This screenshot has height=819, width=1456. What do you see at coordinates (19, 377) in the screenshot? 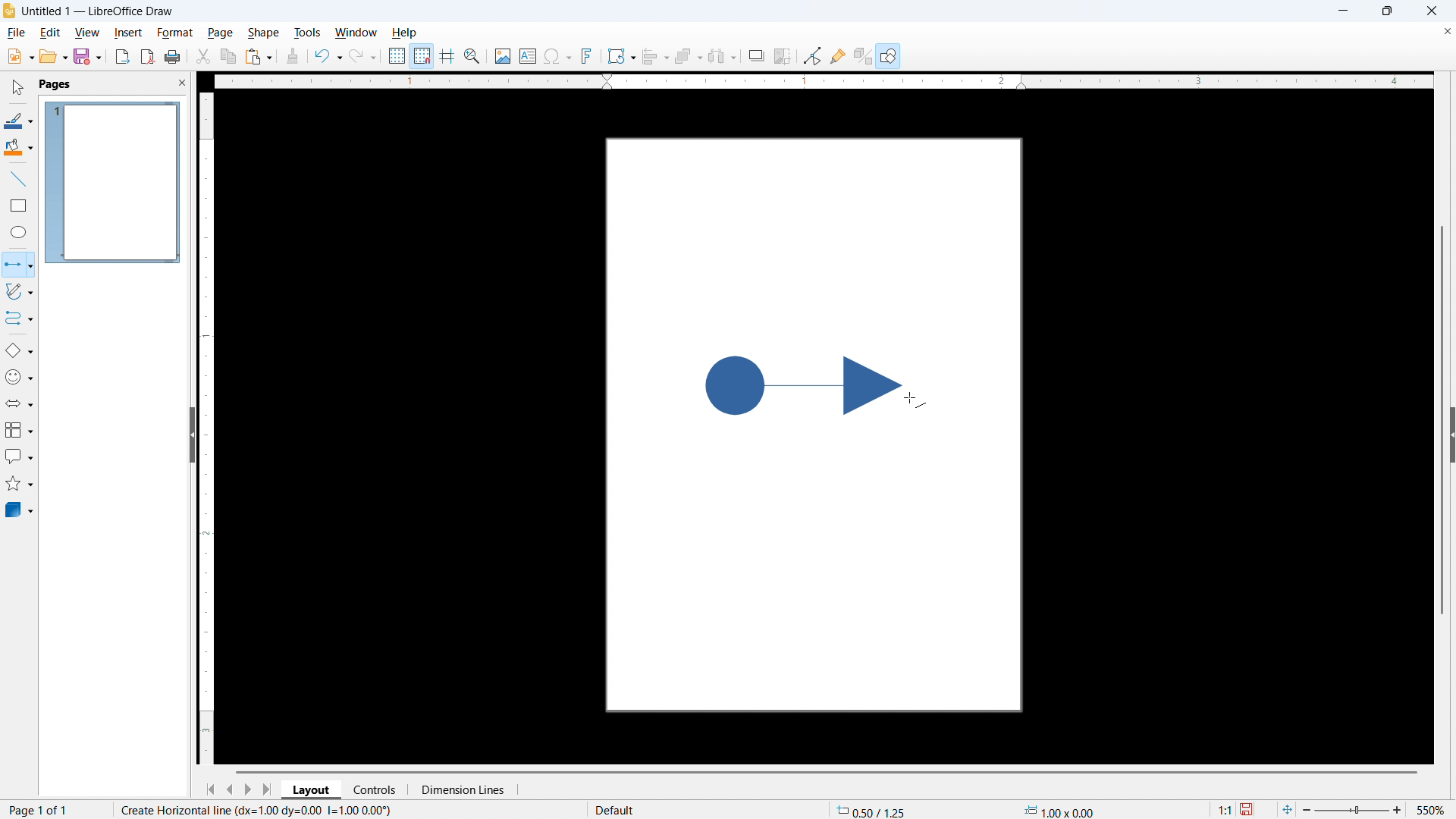
I see `Symbol shapes ` at bounding box center [19, 377].